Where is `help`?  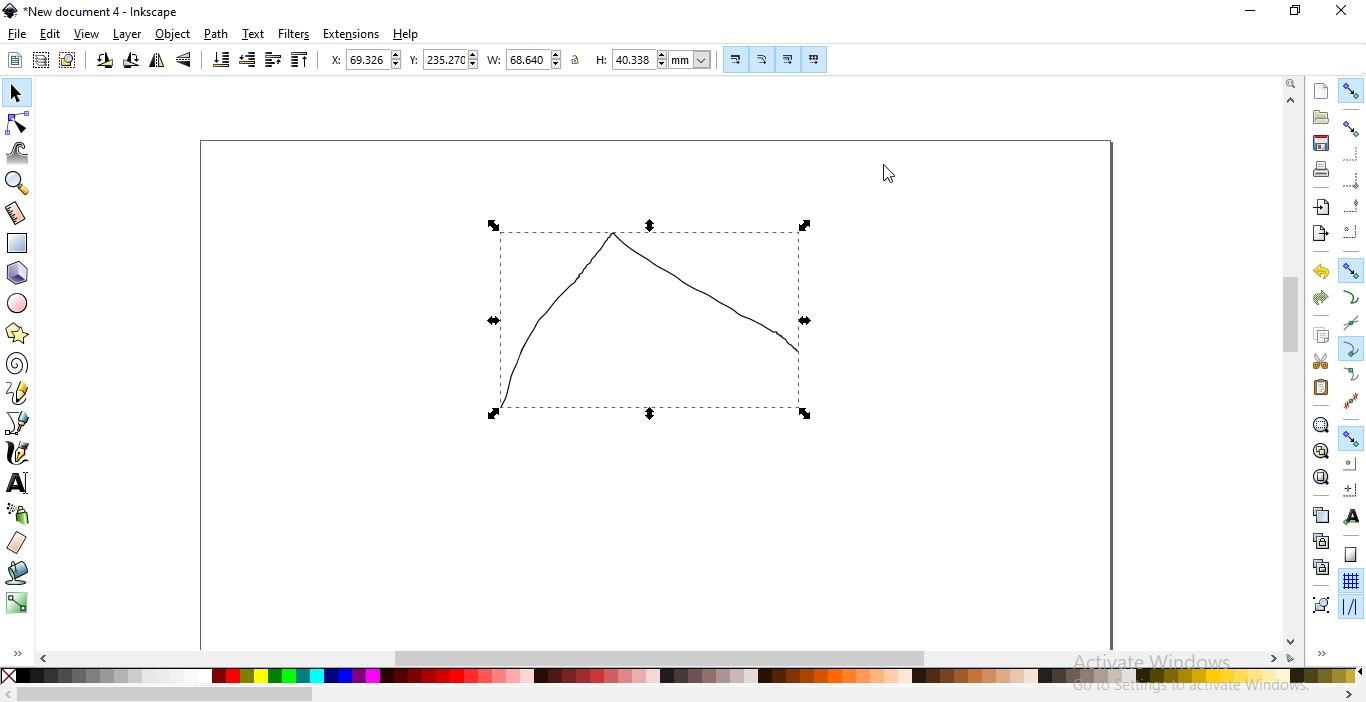
help is located at coordinates (406, 35).